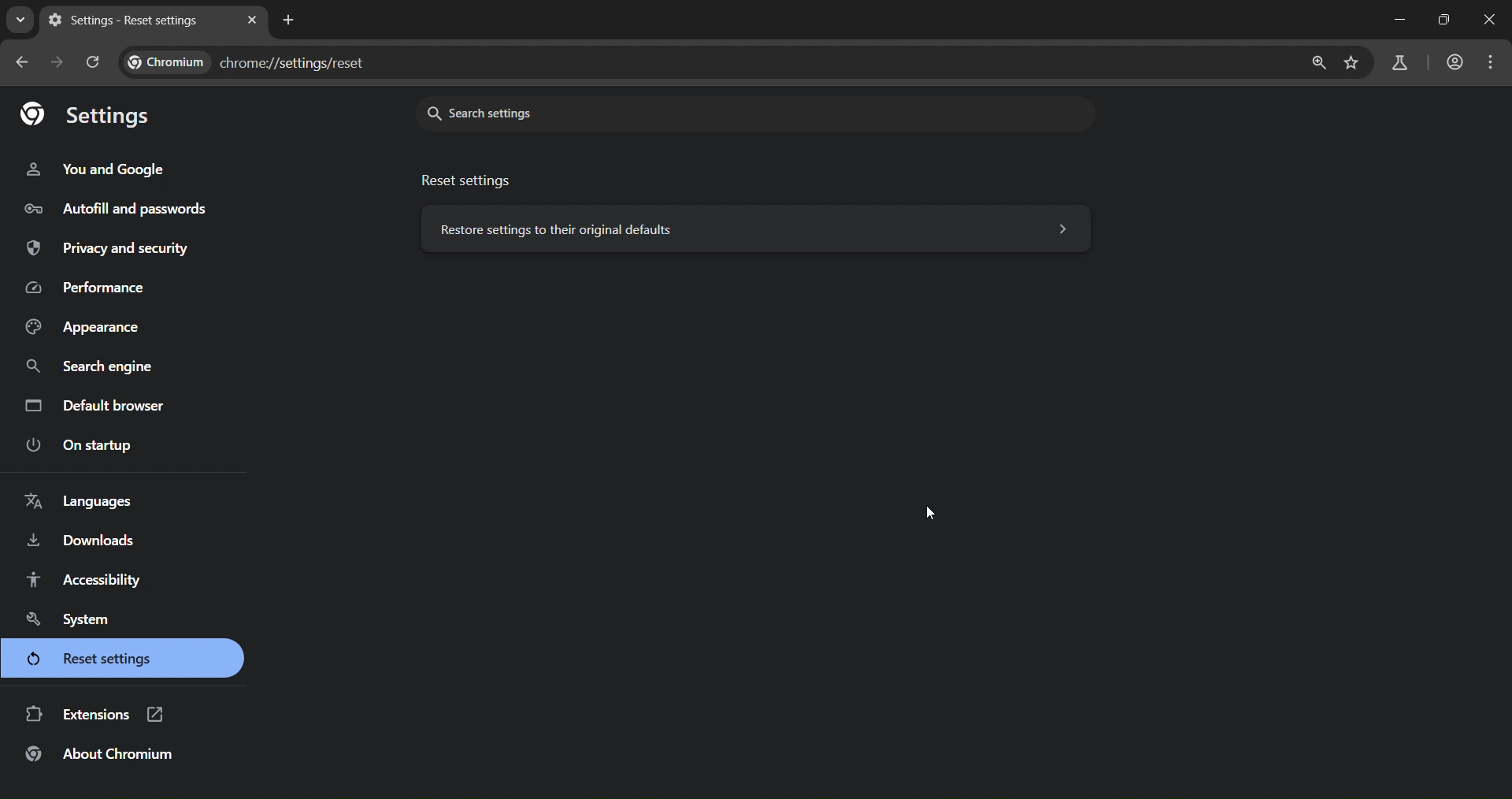 This screenshot has width=1512, height=799. Describe the element at coordinates (85, 113) in the screenshot. I see `settings` at that location.